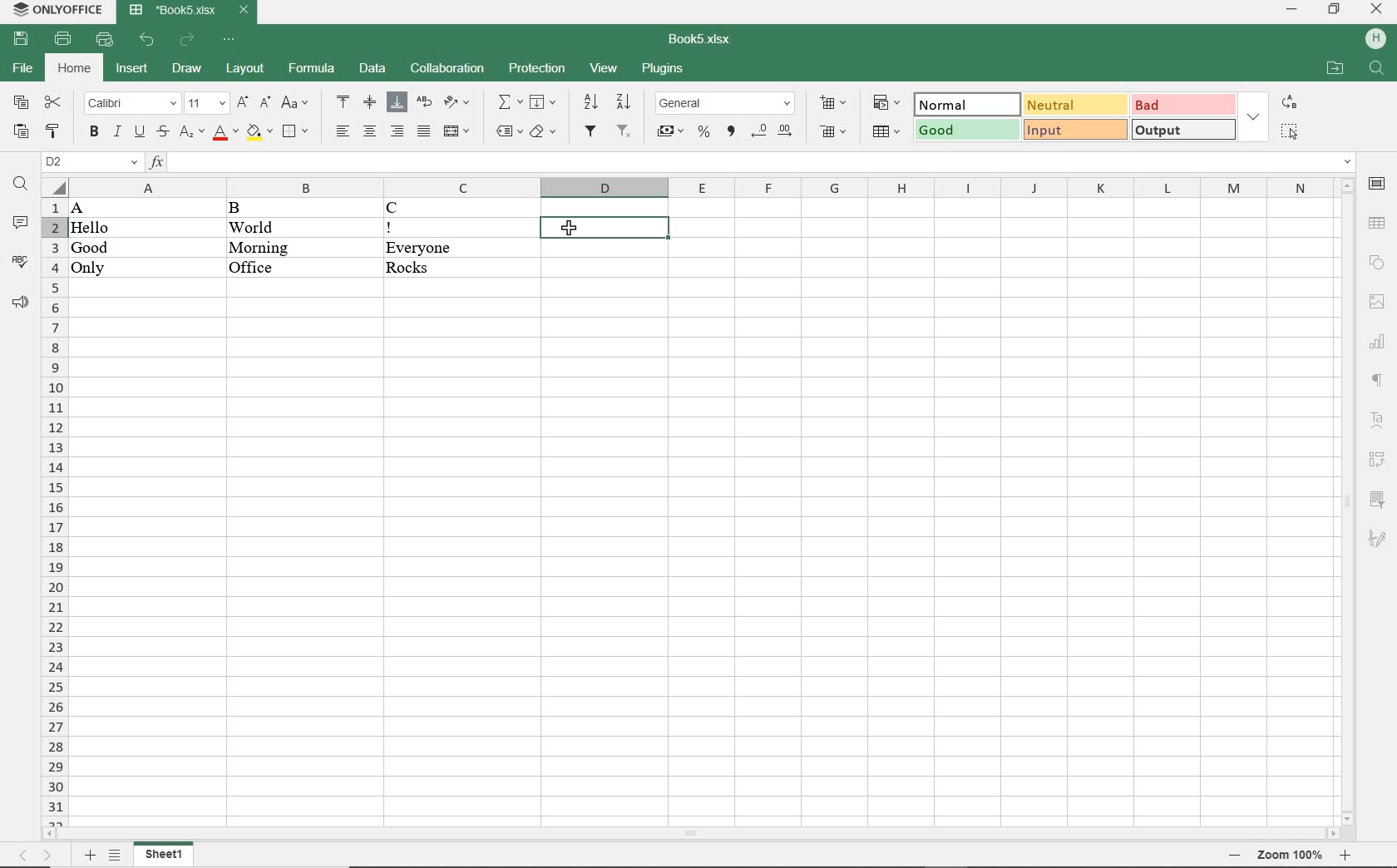  I want to click on PASTE, so click(20, 131).